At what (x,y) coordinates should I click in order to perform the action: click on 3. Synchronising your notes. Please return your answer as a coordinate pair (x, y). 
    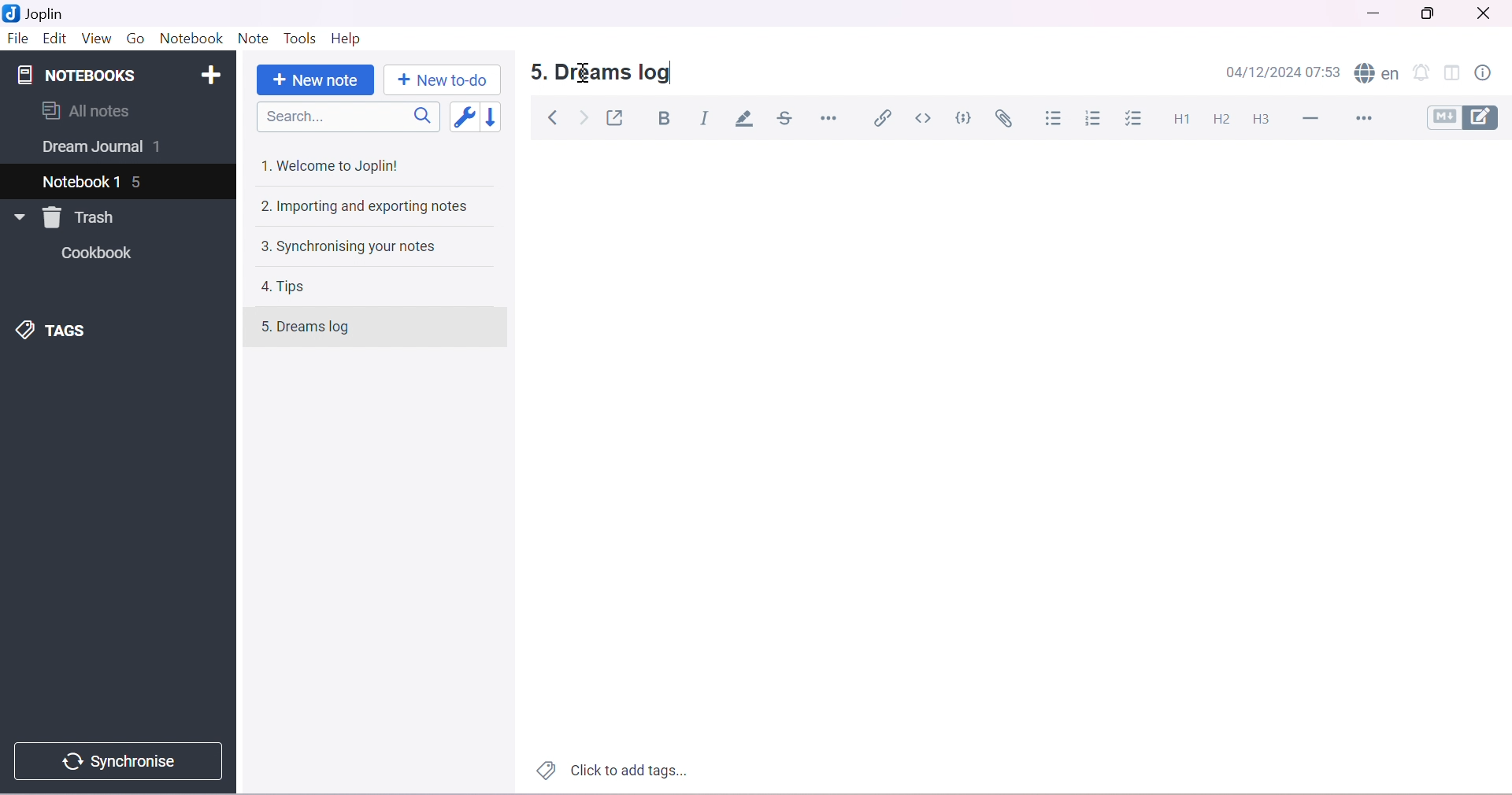
    Looking at the image, I should click on (347, 248).